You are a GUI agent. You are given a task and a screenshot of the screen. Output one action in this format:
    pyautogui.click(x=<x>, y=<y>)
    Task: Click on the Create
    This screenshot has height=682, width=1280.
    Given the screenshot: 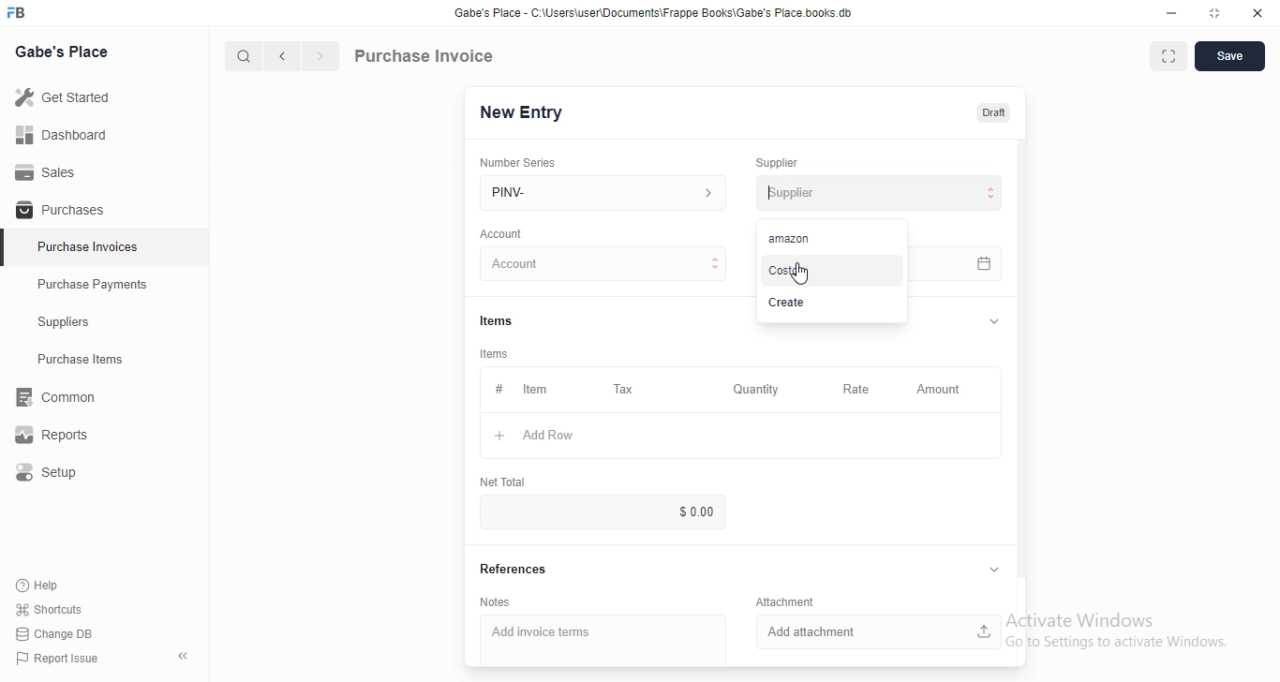 What is the action you would take?
    pyautogui.click(x=832, y=303)
    